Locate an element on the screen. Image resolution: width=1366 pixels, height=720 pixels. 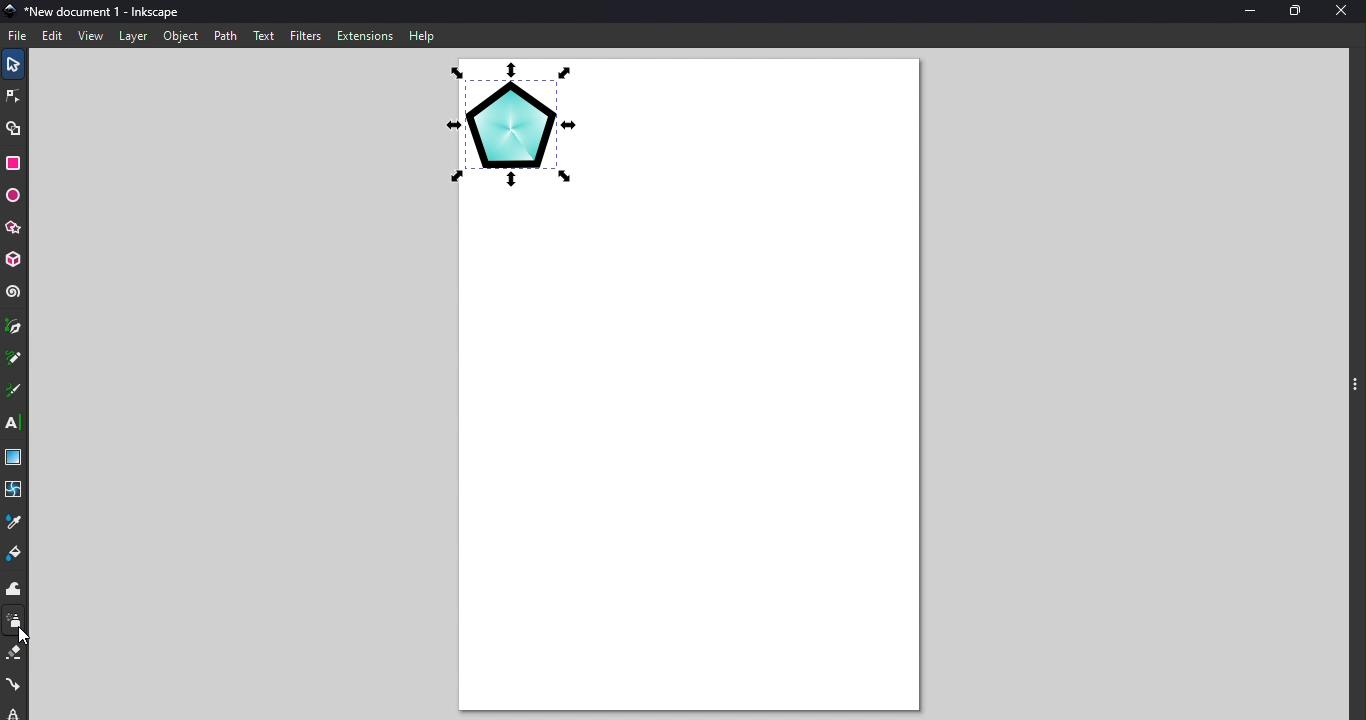
Pen tool is located at coordinates (13, 328).